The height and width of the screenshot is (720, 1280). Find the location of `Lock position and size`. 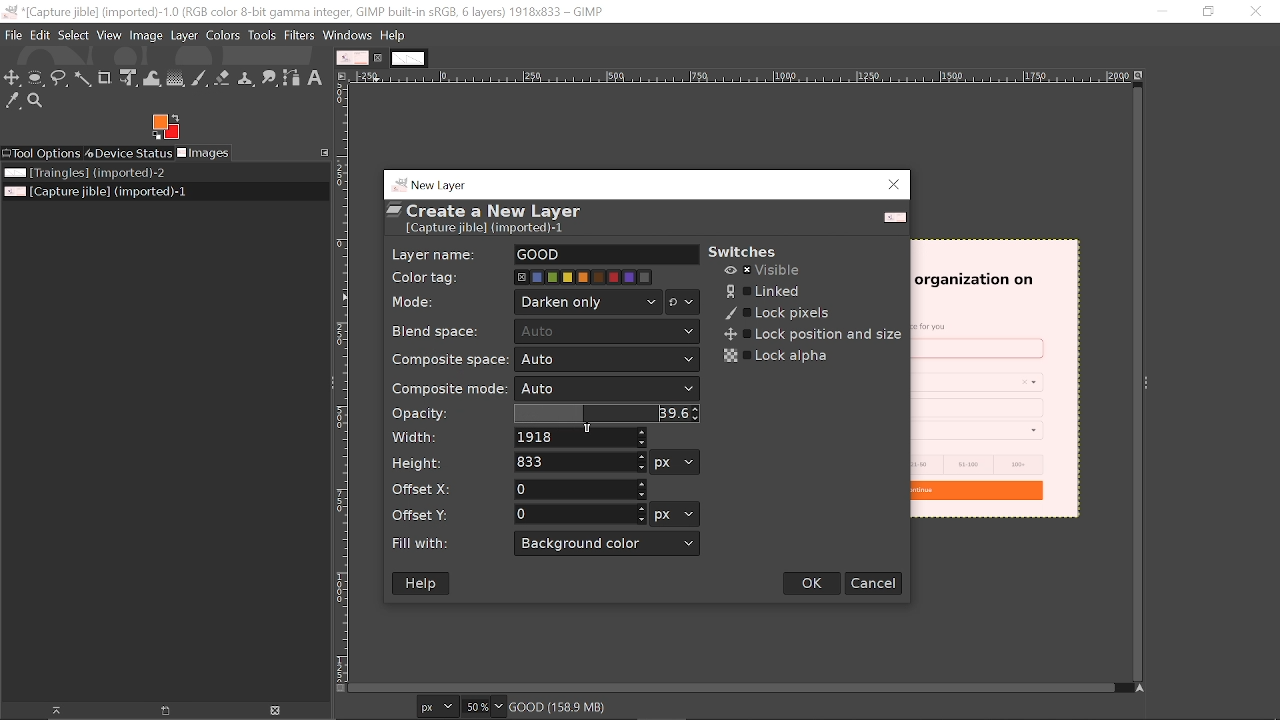

Lock position and size is located at coordinates (809, 335).